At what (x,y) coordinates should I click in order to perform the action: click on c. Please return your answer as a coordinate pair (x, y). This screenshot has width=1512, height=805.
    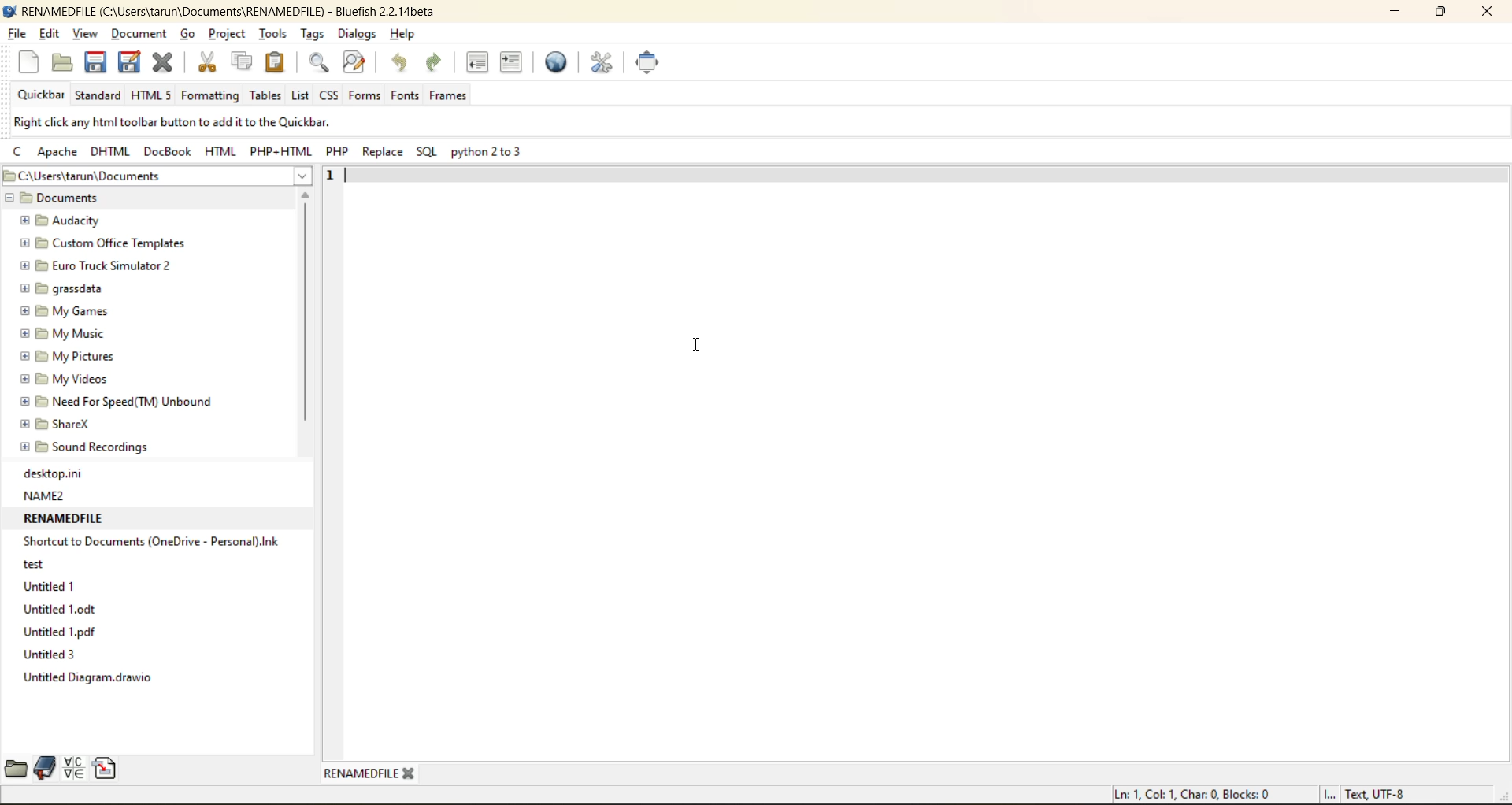
    Looking at the image, I should click on (17, 154).